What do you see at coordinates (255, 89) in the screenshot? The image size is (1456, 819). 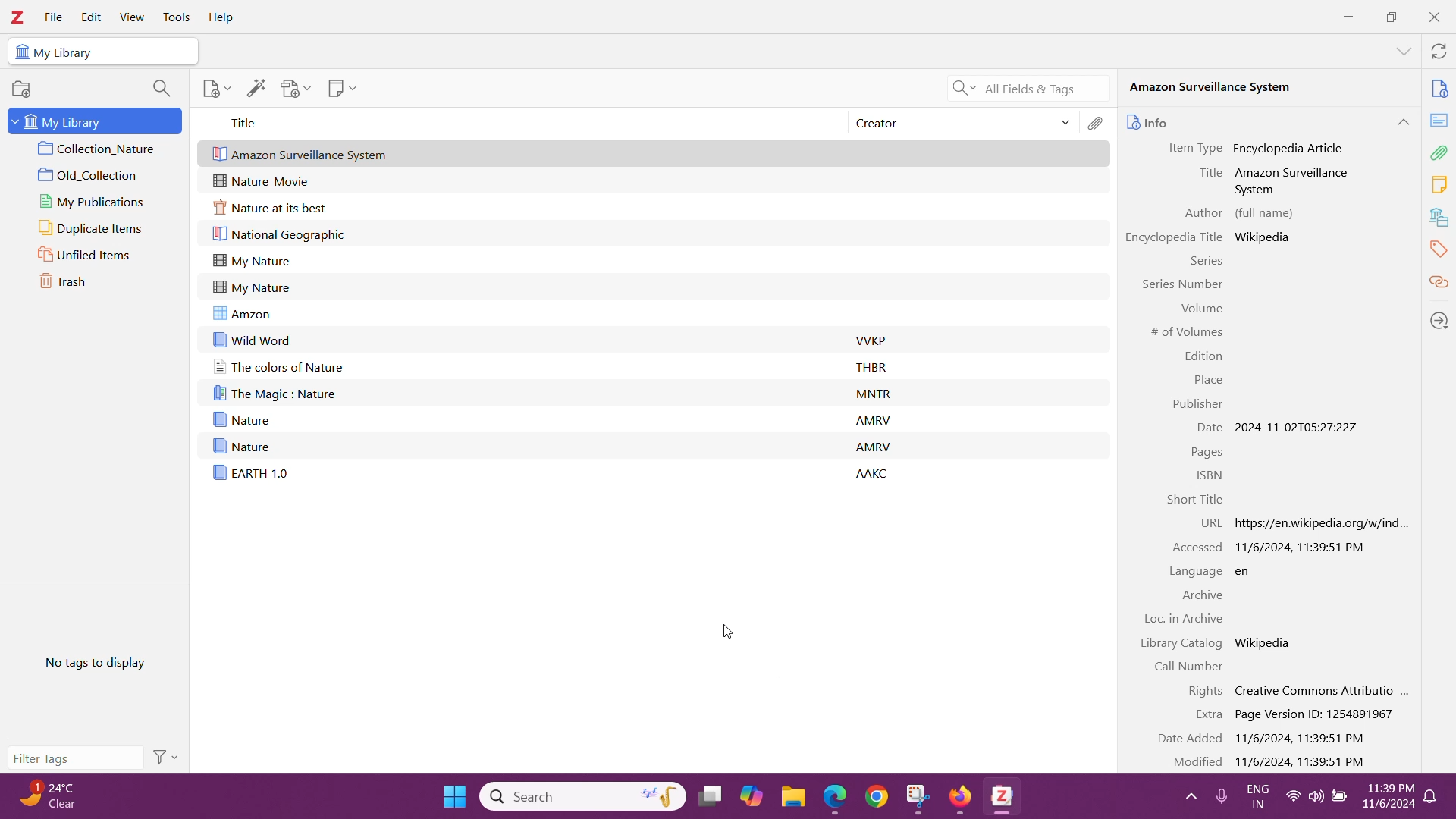 I see `Add Item(s) by identifier` at bounding box center [255, 89].